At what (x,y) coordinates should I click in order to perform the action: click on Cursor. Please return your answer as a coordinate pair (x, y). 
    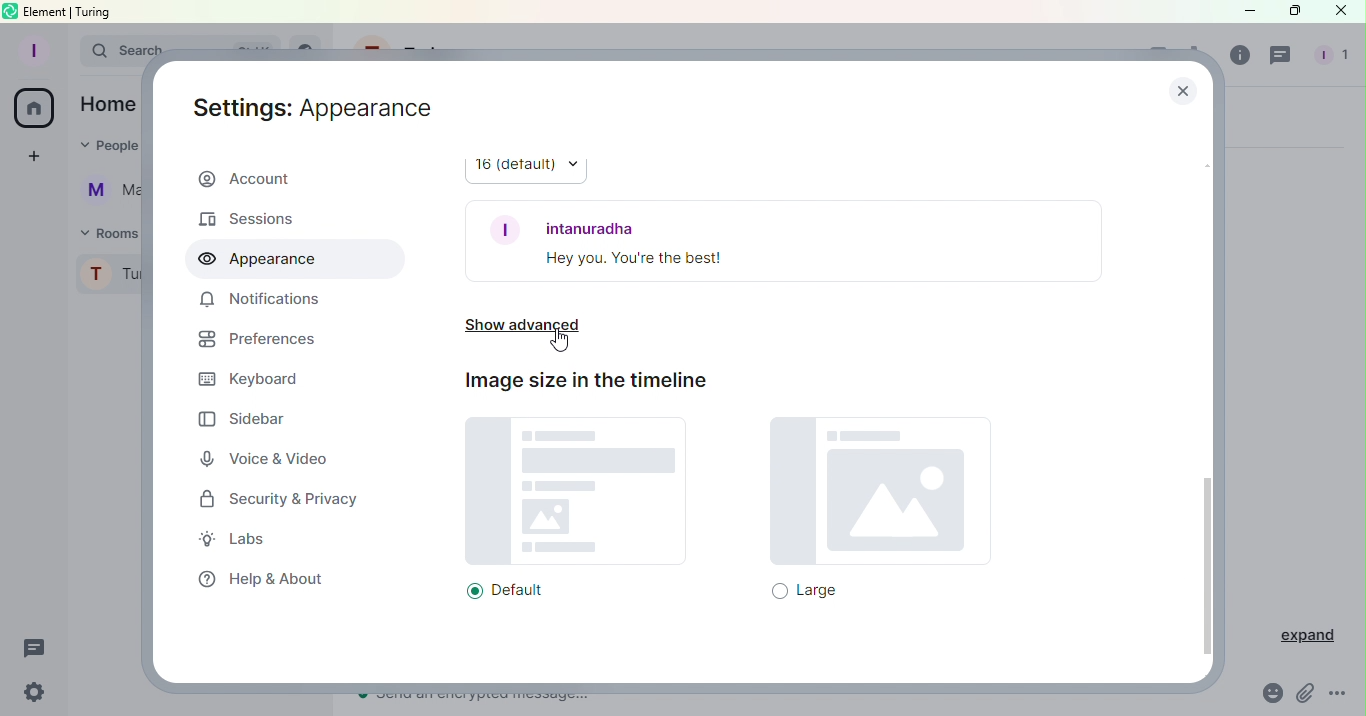
    Looking at the image, I should click on (563, 344).